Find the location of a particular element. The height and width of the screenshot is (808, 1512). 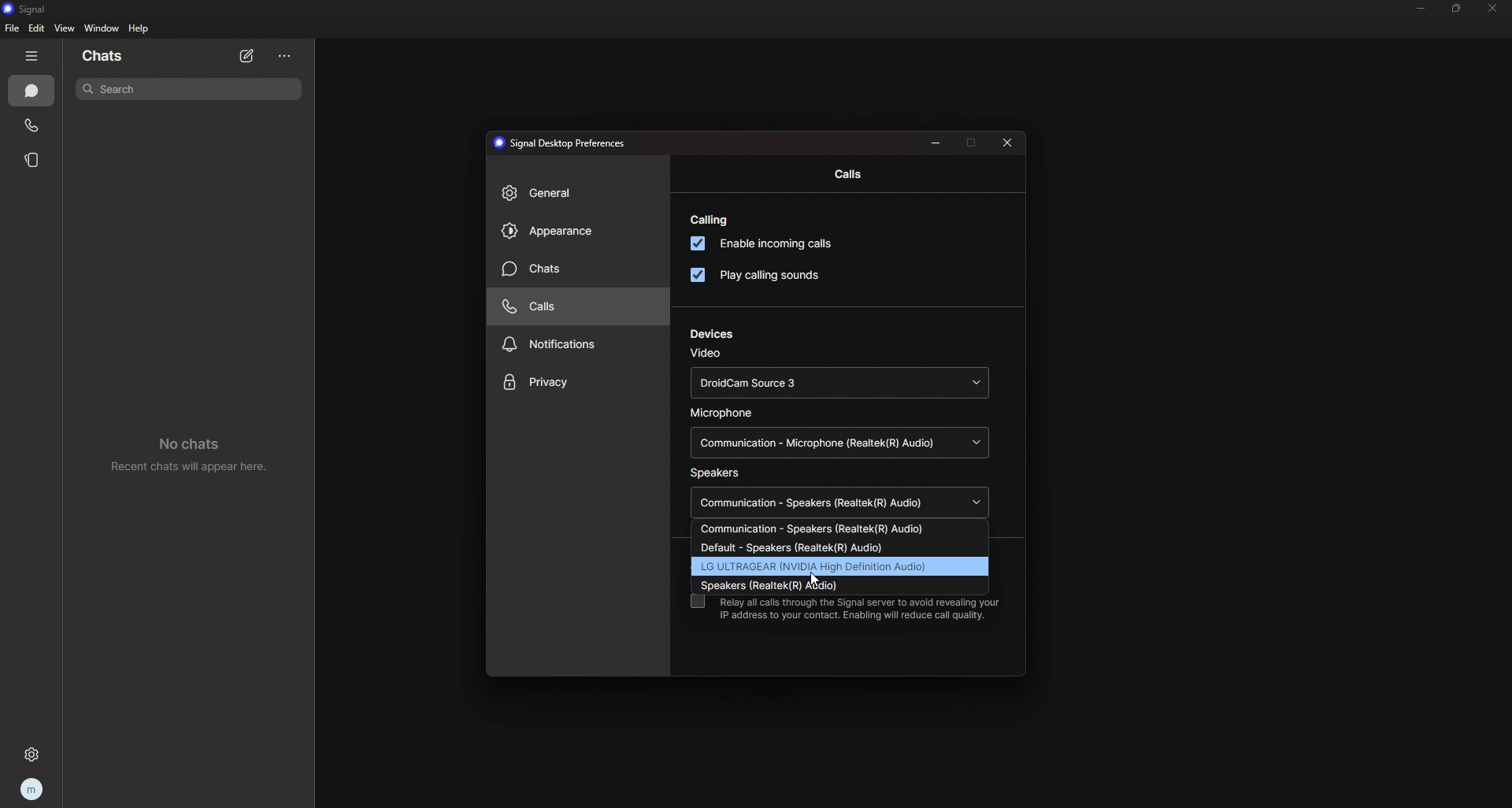

file is located at coordinates (13, 28).